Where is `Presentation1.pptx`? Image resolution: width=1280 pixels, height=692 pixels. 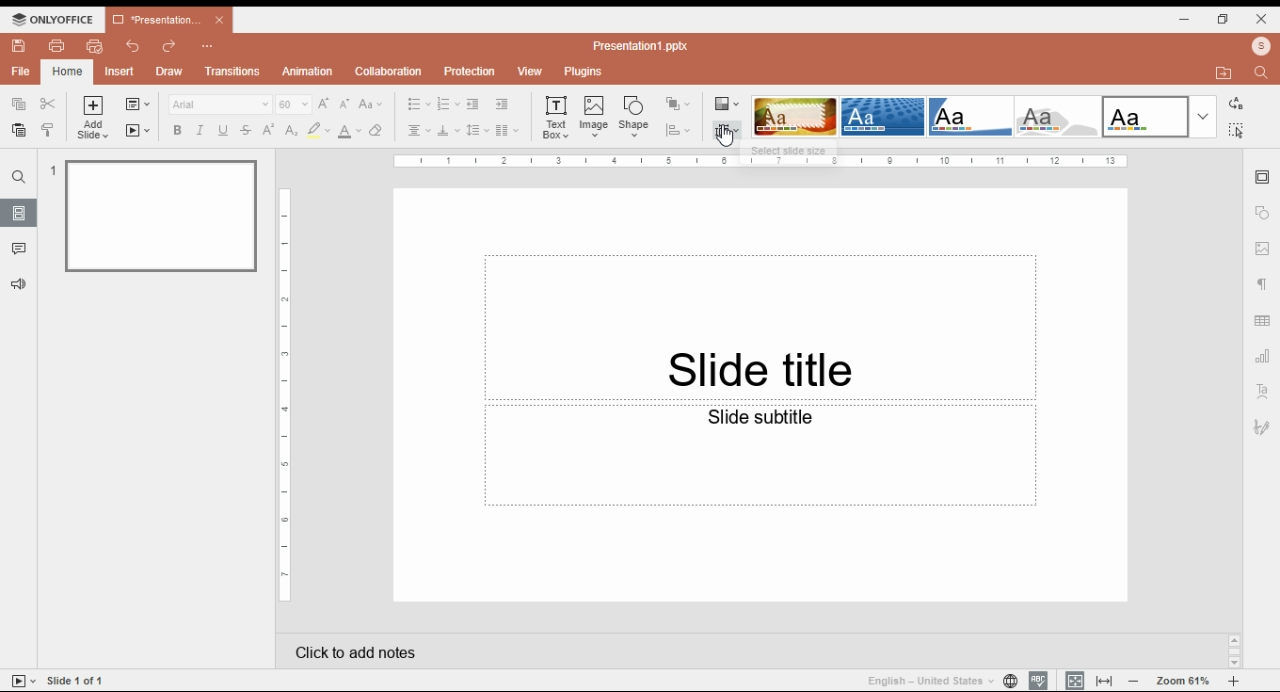
Presentation1.pptx is located at coordinates (644, 45).